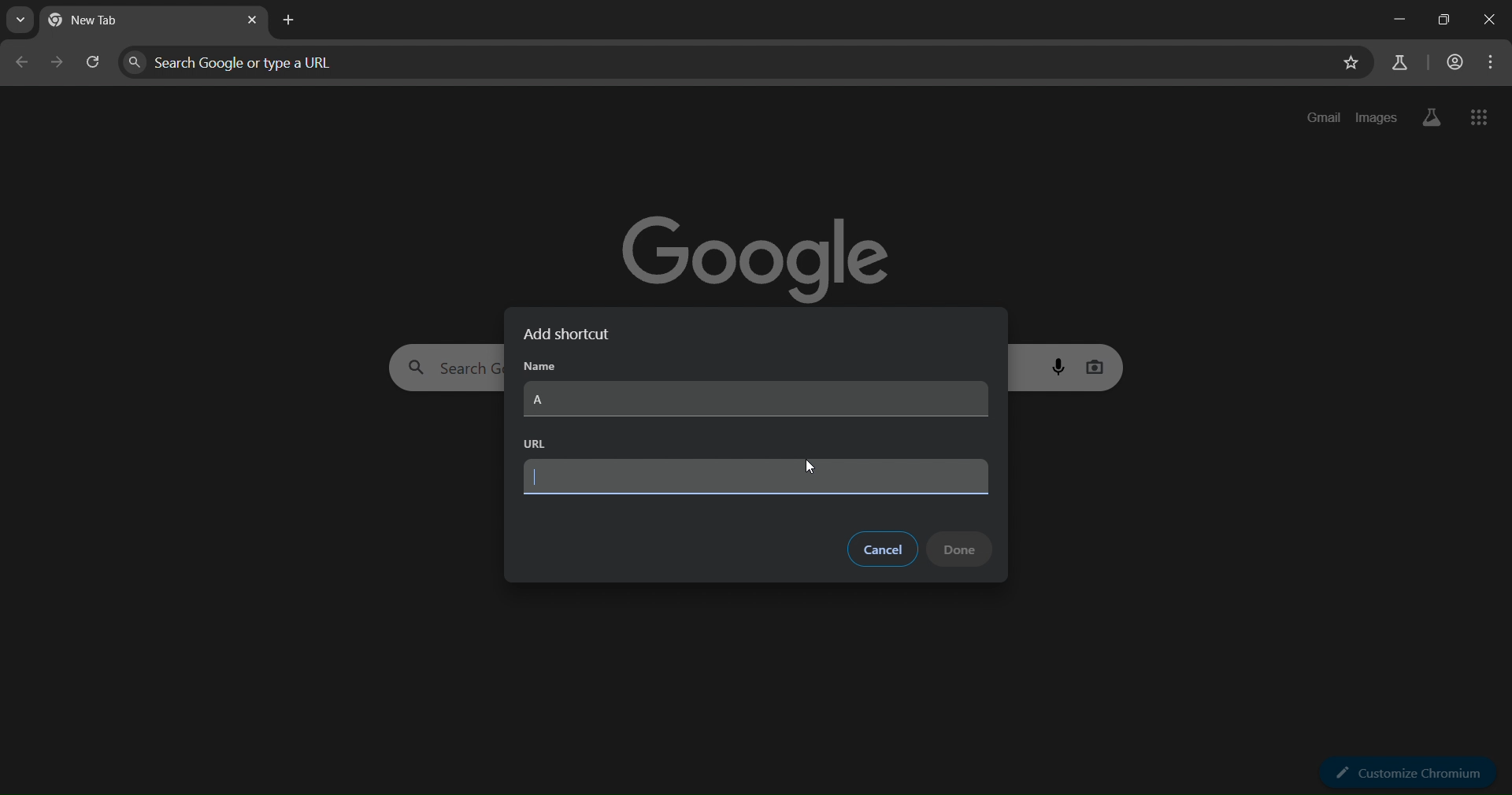  Describe the element at coordinates (292, 20) in the screenshot. I see `new tab` at that location.